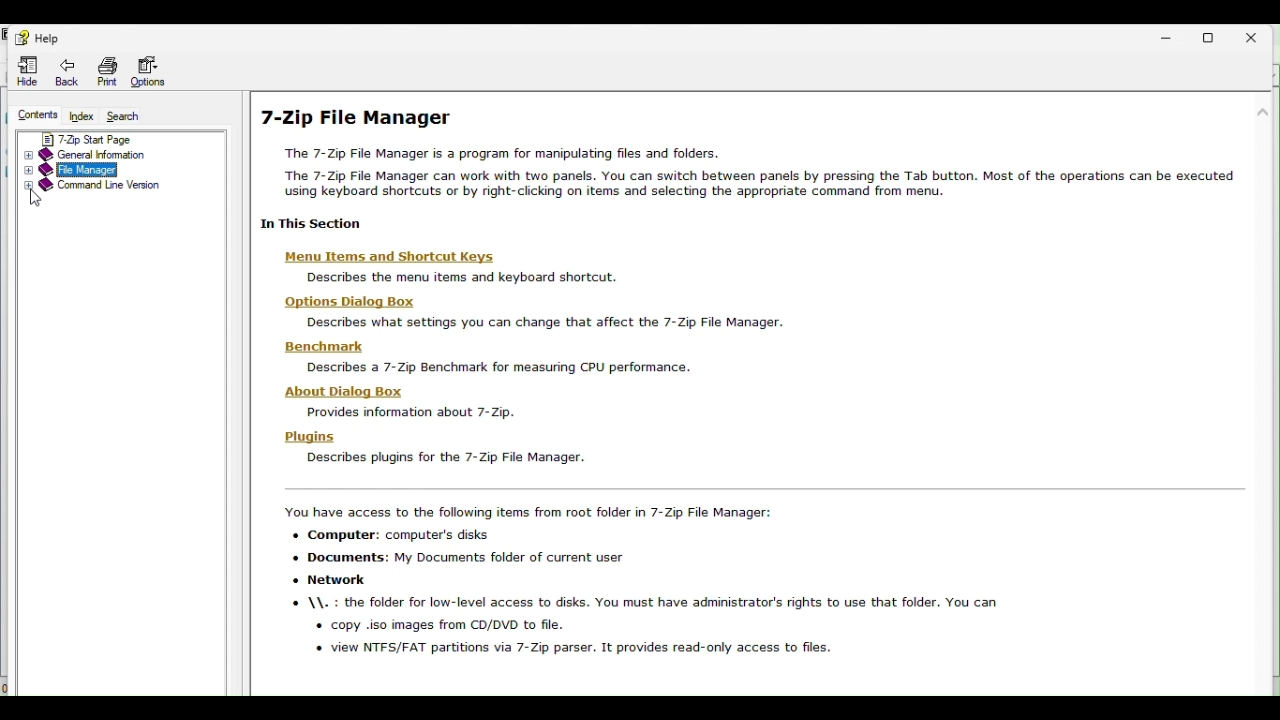  What do you see at coordinates (99, 139) in the screenshot?
I see `7 zip start page` at bounding box center [99, 139].